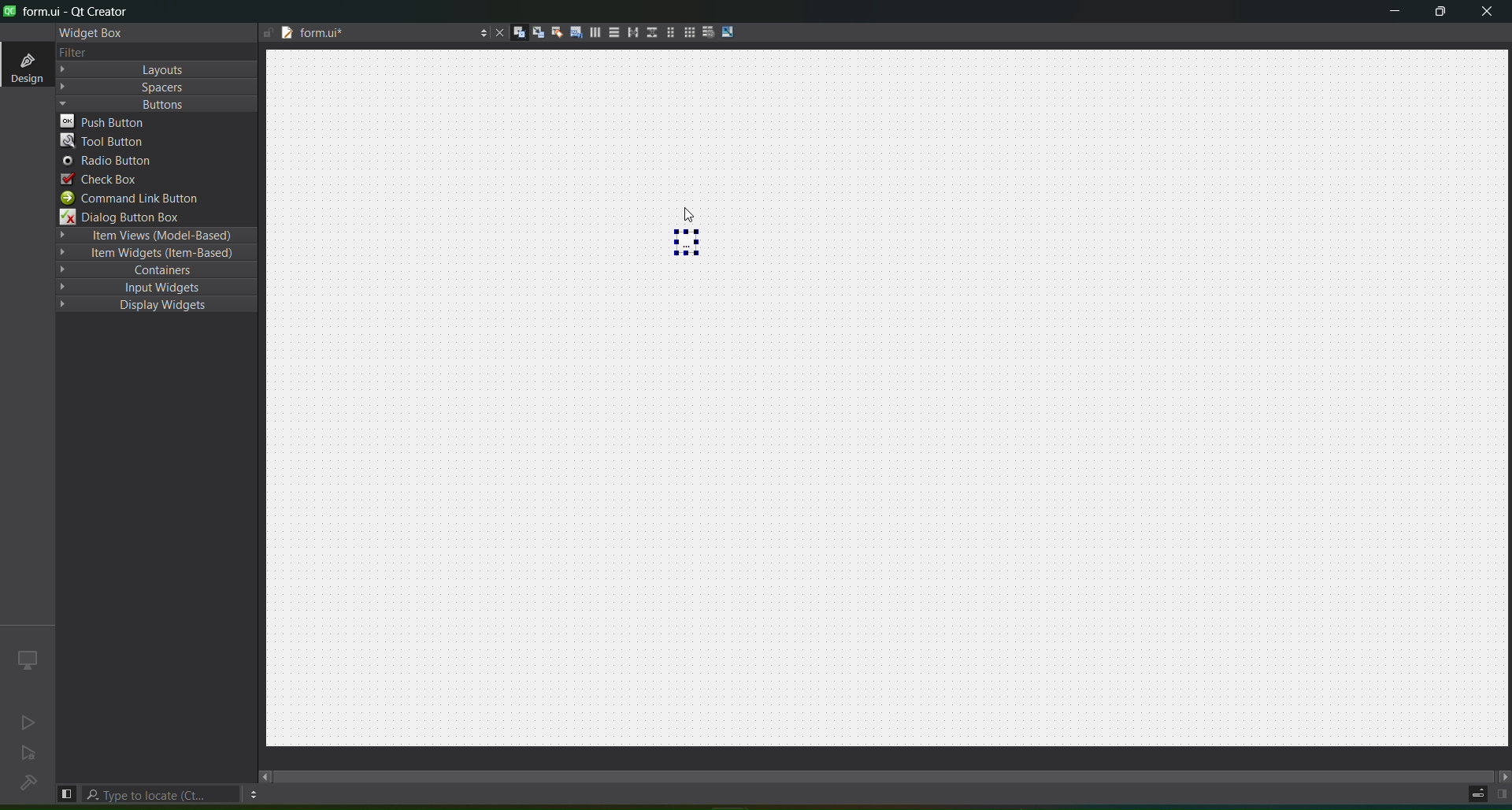 This screenshot has height=810, width=1512. What do you see at coordinates (573, 33) in the screenshot?
I see `edit tab order` at bounding box center [573, 33].